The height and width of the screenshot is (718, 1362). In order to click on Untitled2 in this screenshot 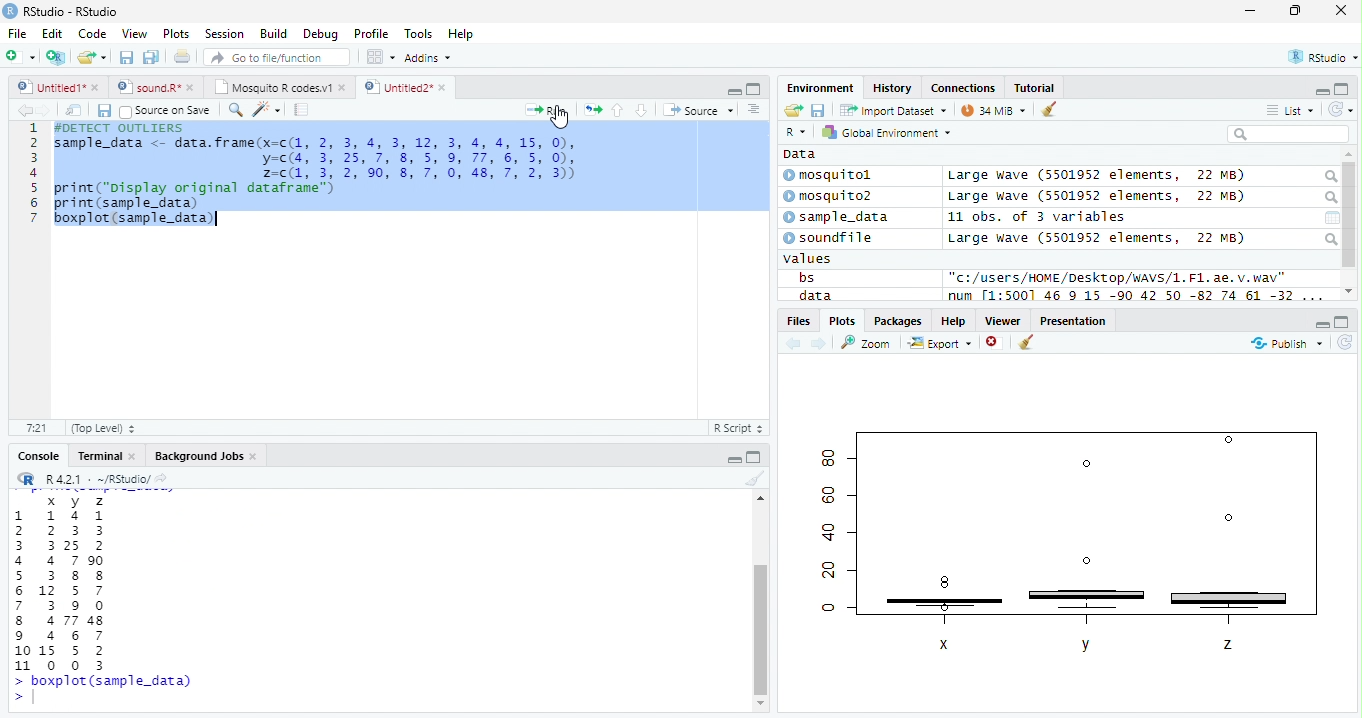, I will do `click(405, 88)`.